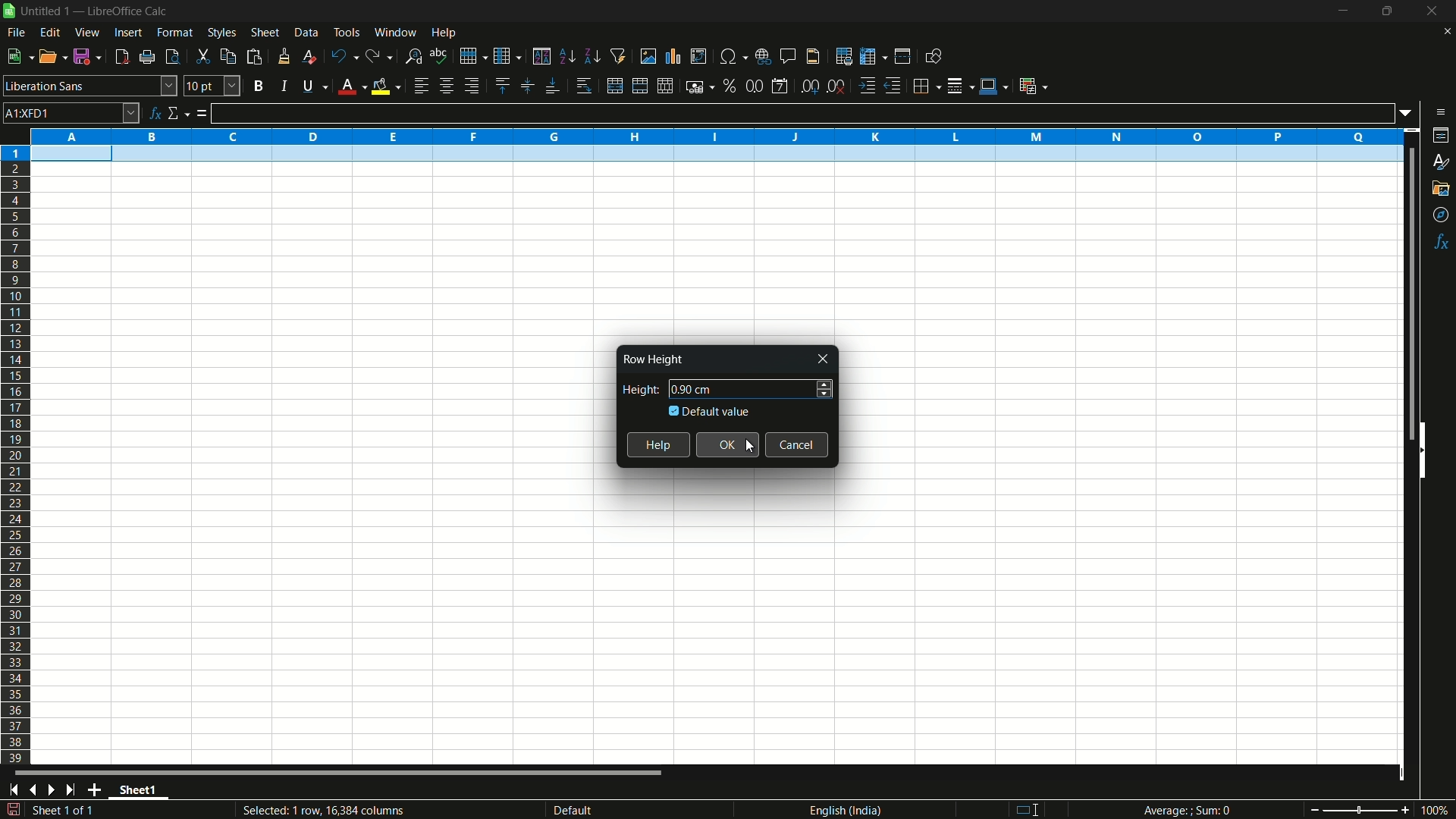 This screenshot has width=1456, height=819. Describe the element at coordinates (587, 86) in the screenshot. I see `wrap text` at that location.